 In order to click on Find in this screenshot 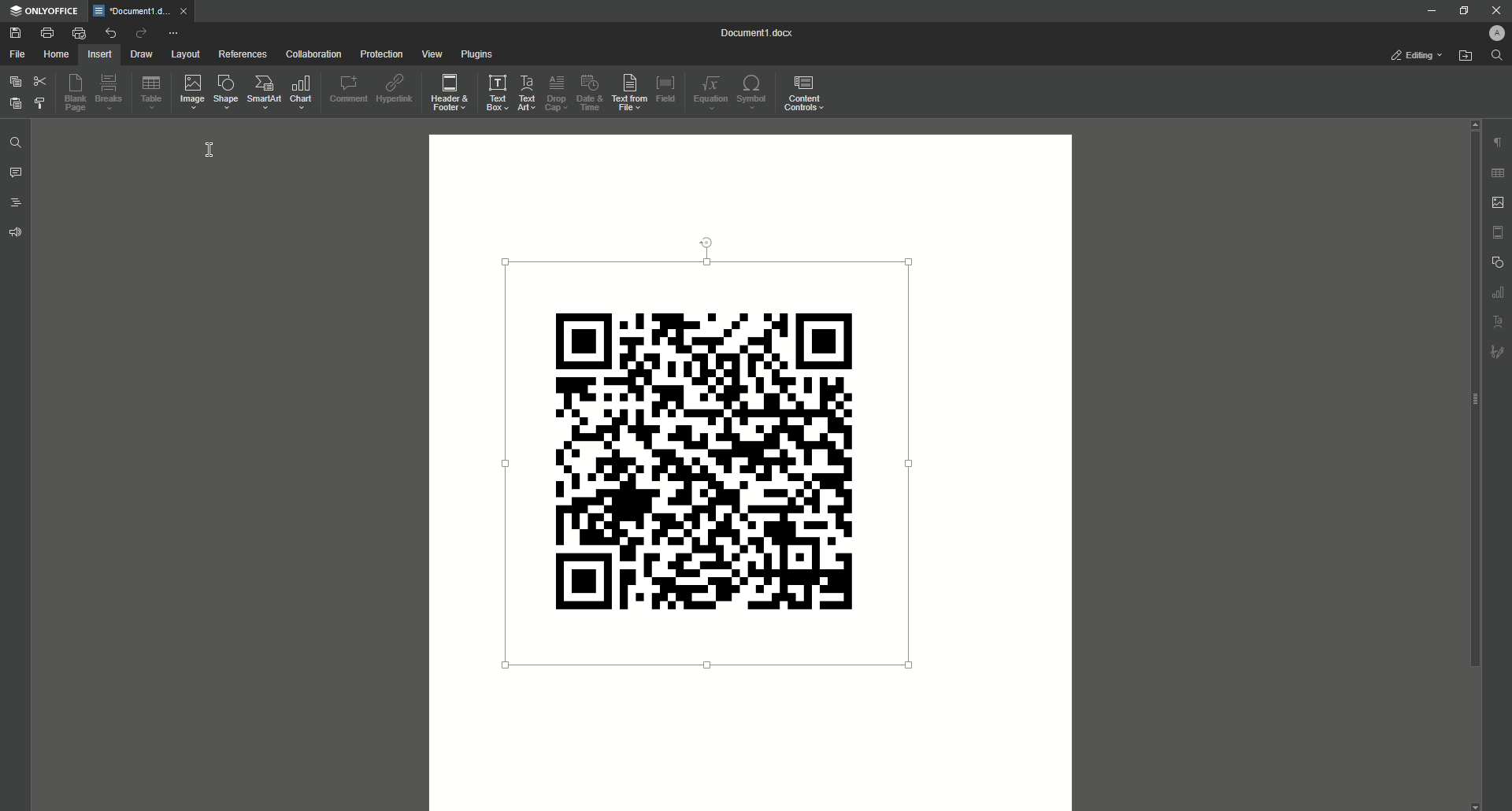, I will do `click(1499, 57)`.